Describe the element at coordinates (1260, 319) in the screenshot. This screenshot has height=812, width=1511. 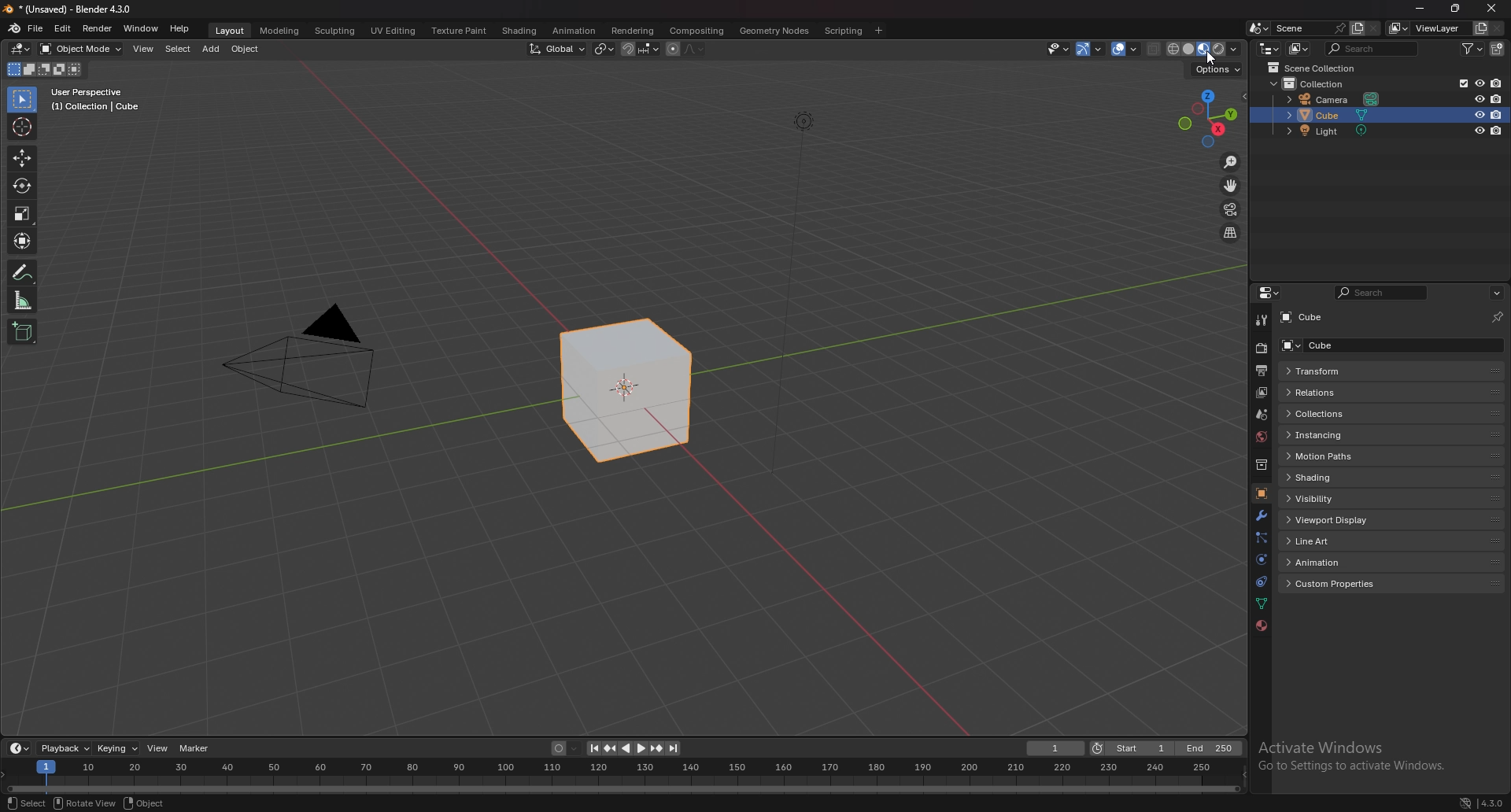
I see `tool` at that location.